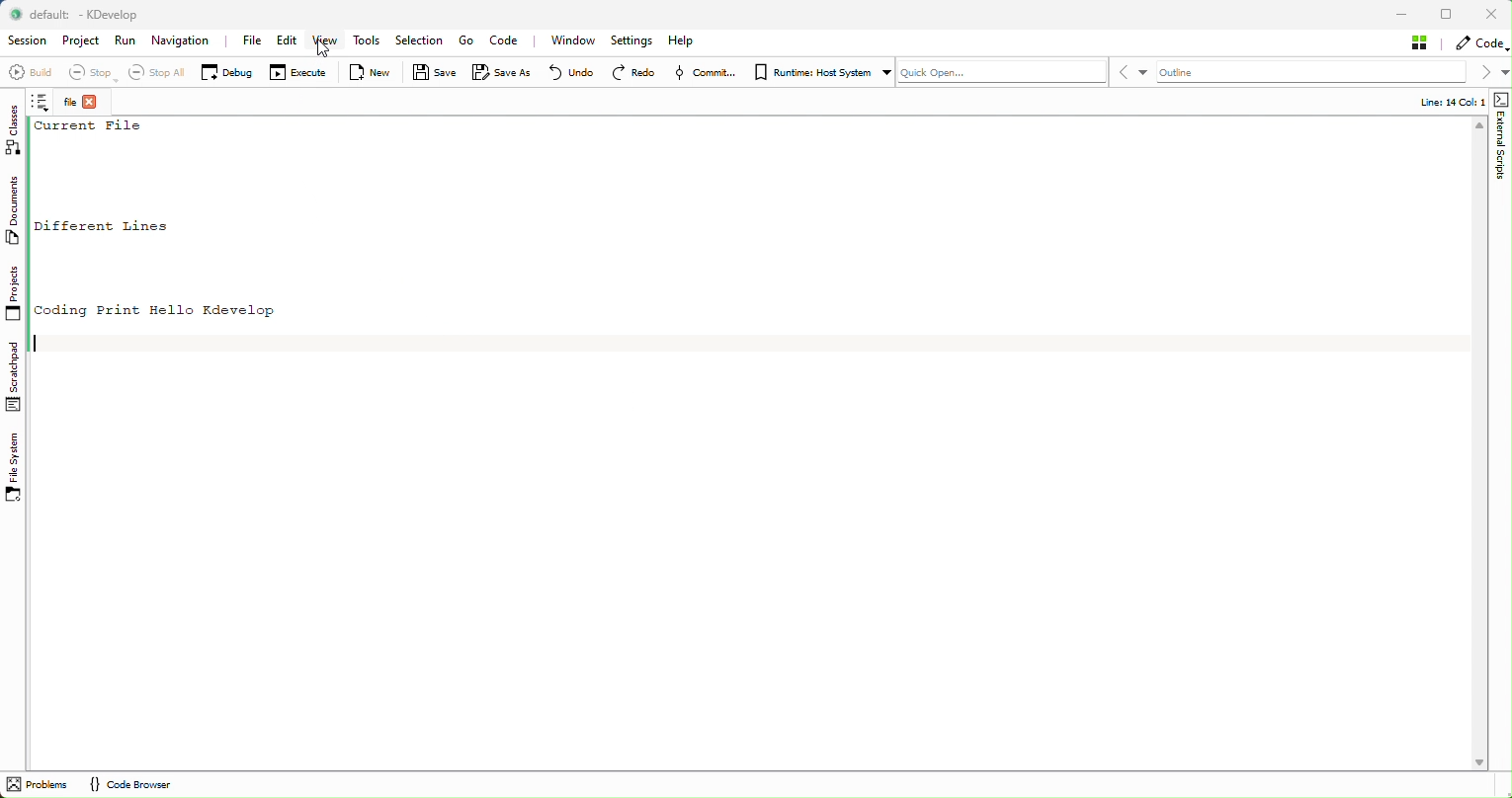 Image resolution: width=1512 pixels, height=798 pixels. Describe the element at coordinates (1492, 14) in the screenshot. I see `Close` at that location.